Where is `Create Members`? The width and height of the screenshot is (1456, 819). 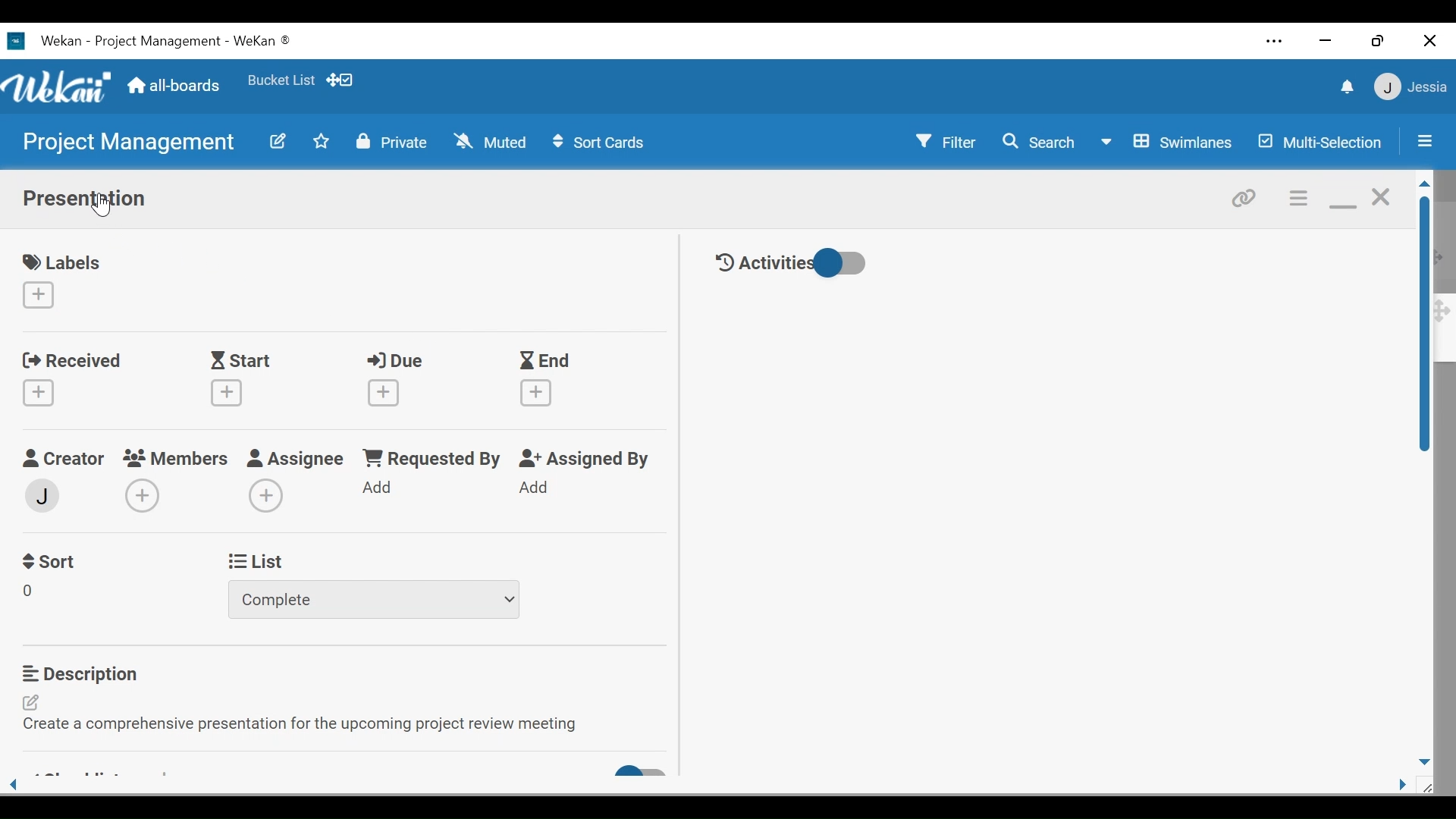
Create Members is located at coordinates (140, 497).